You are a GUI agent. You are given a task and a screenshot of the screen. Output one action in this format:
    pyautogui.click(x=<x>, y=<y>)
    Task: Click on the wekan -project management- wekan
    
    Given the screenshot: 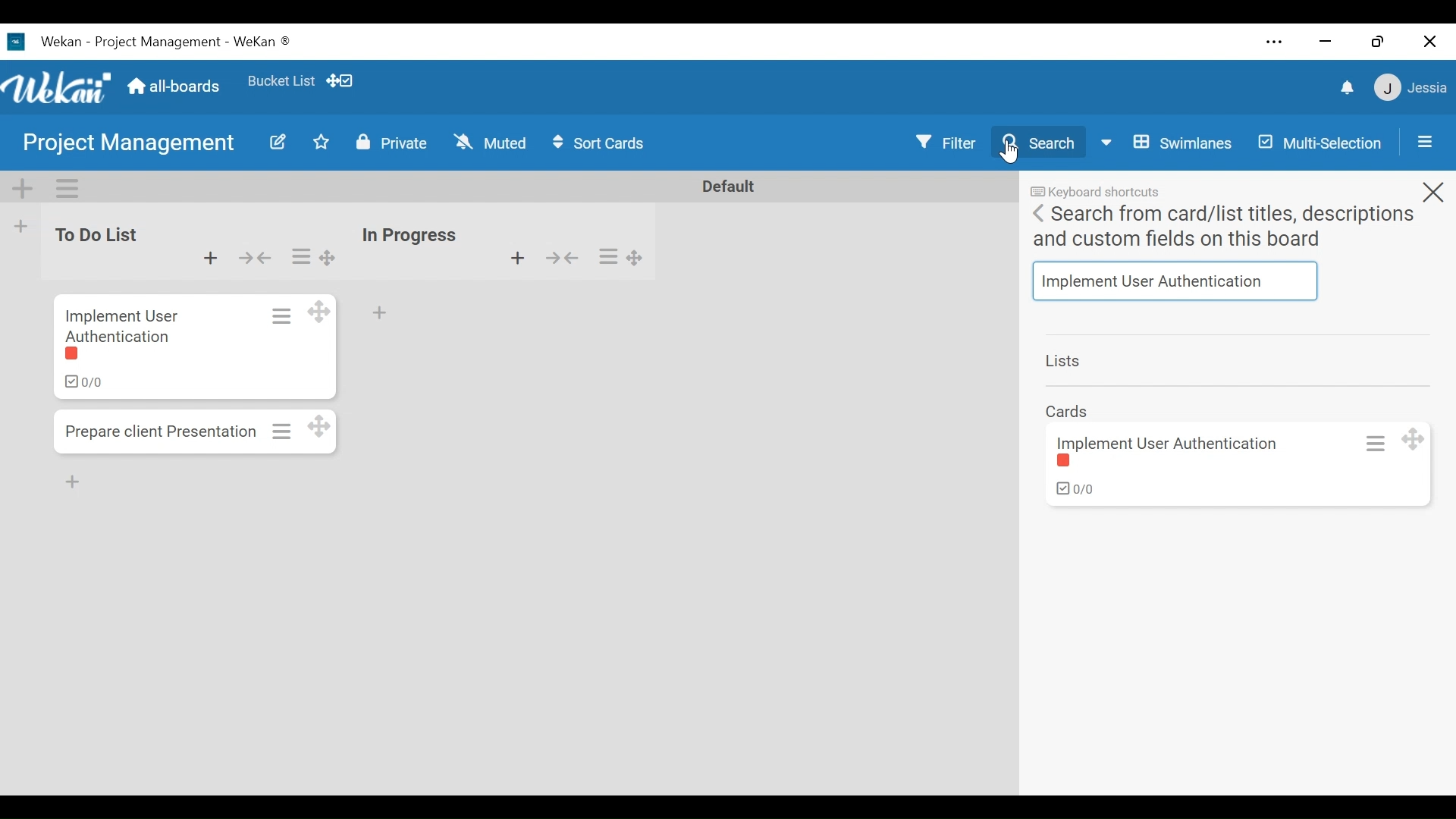 What is the action you would take?
    pyautogui.click(x=184, y=40)
    